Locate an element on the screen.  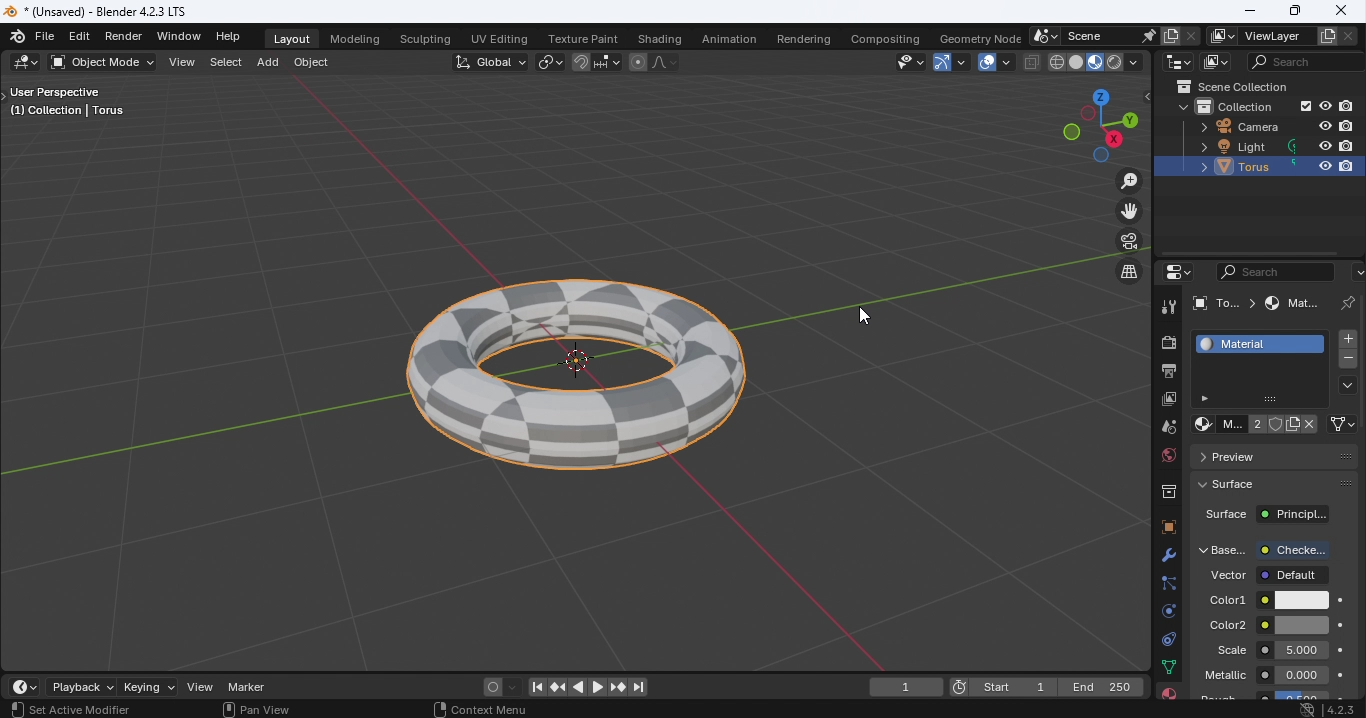
Animate property is located at coordinates (1339, 601).